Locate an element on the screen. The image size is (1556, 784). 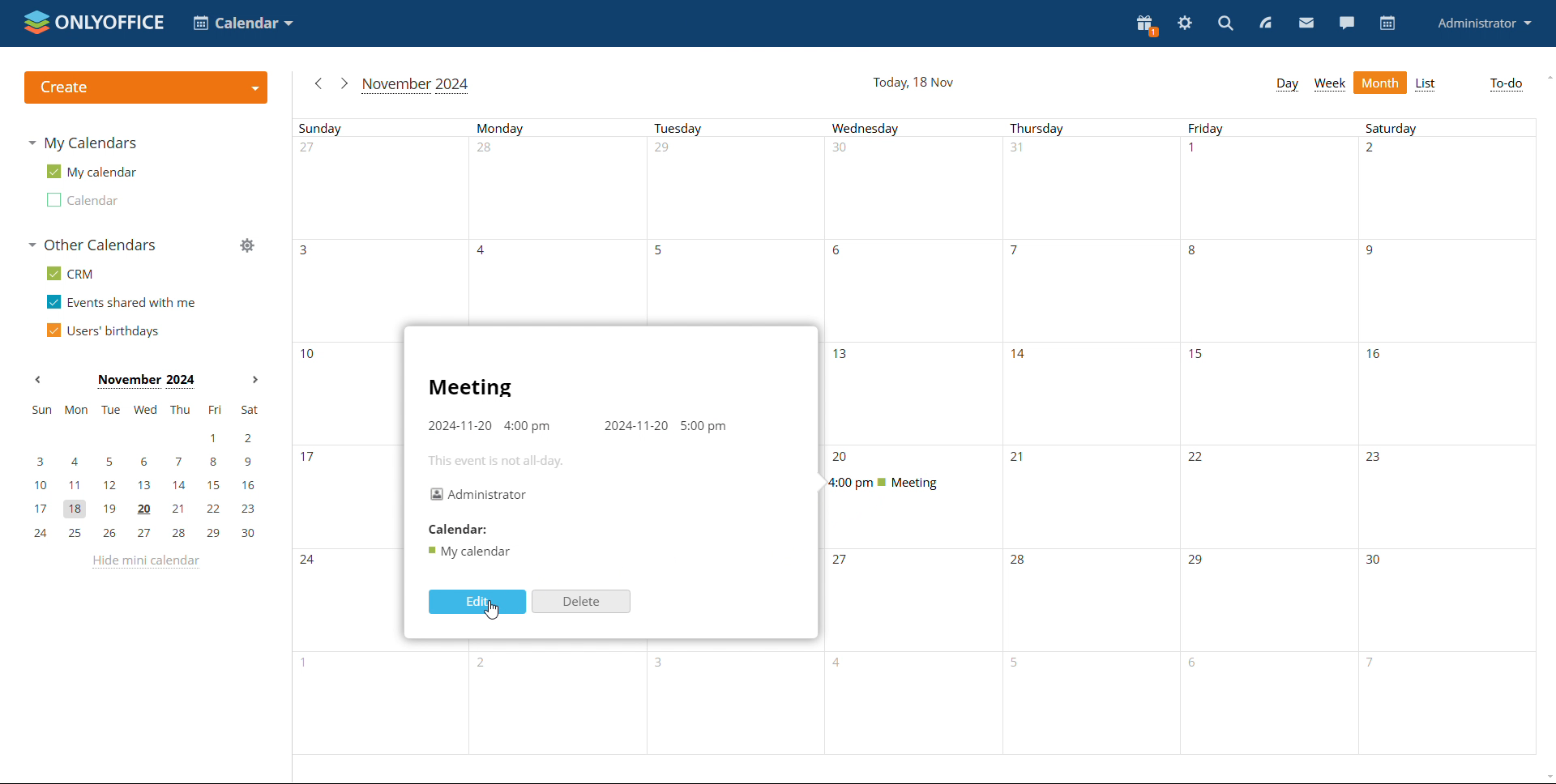
my calendar is located at coordinates (91, 170).